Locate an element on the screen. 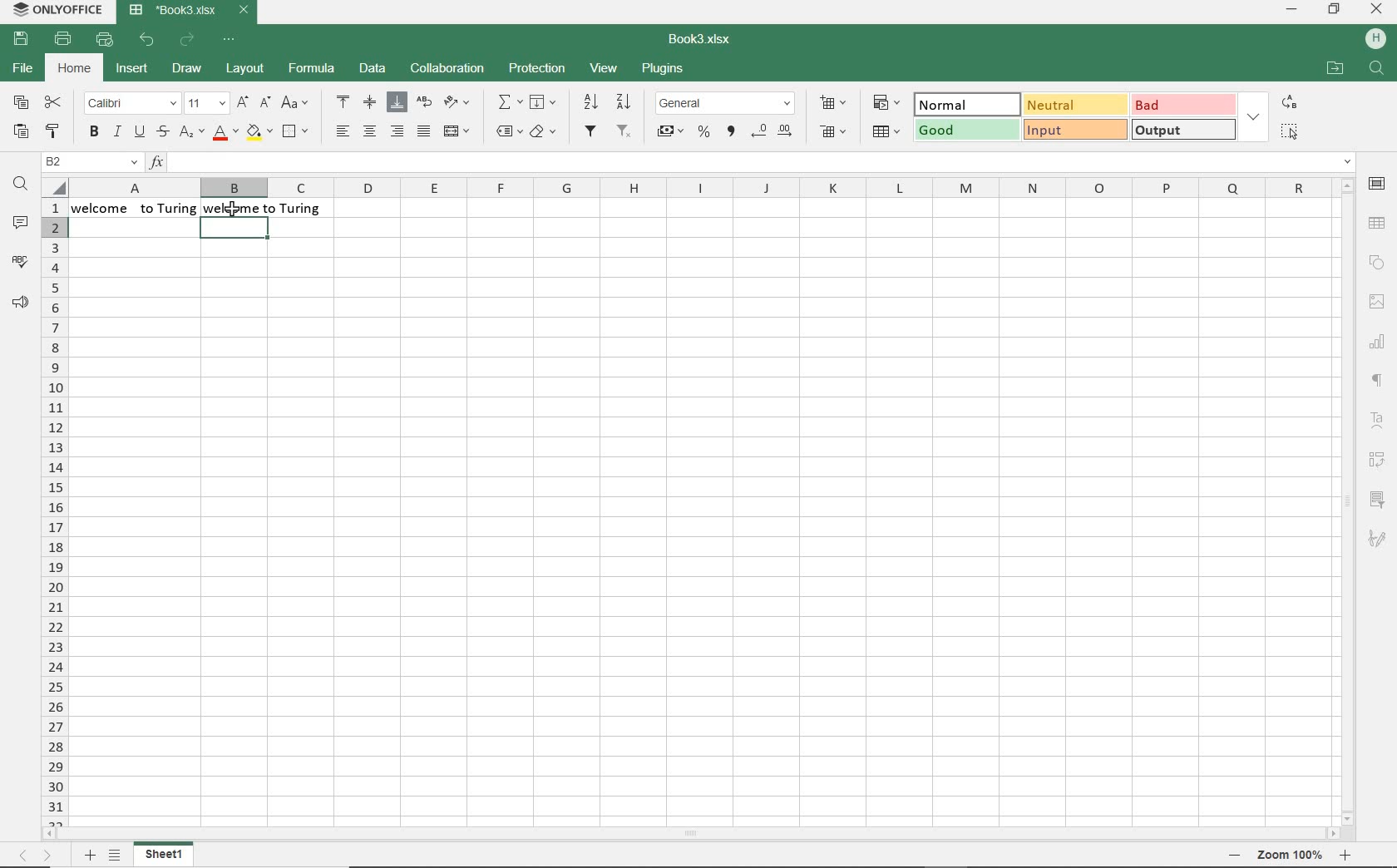 This screenshot has height=868, width=1397. document name is located at coordinates (703, 37).